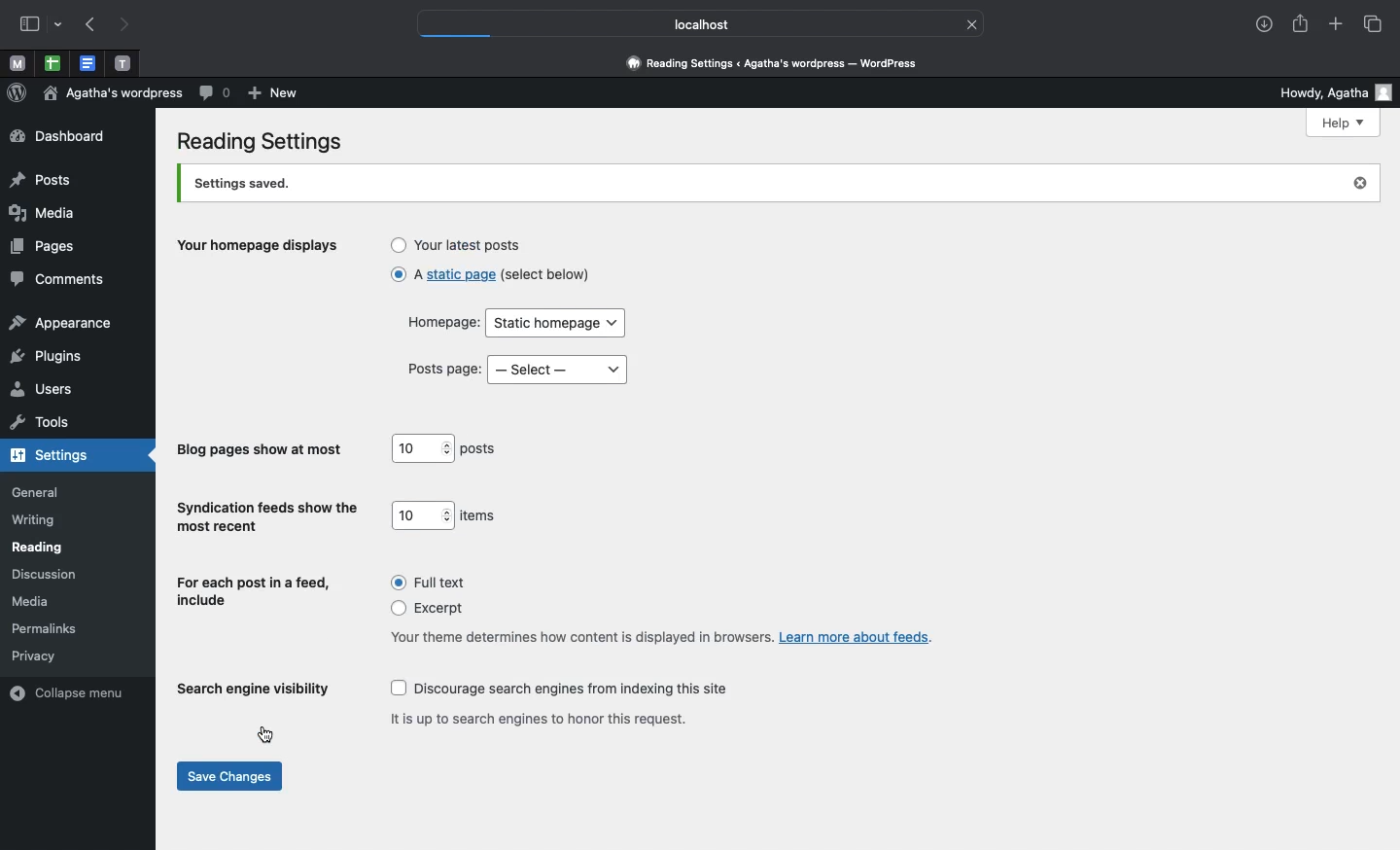  I want to click on discussion, so click(44, 575).